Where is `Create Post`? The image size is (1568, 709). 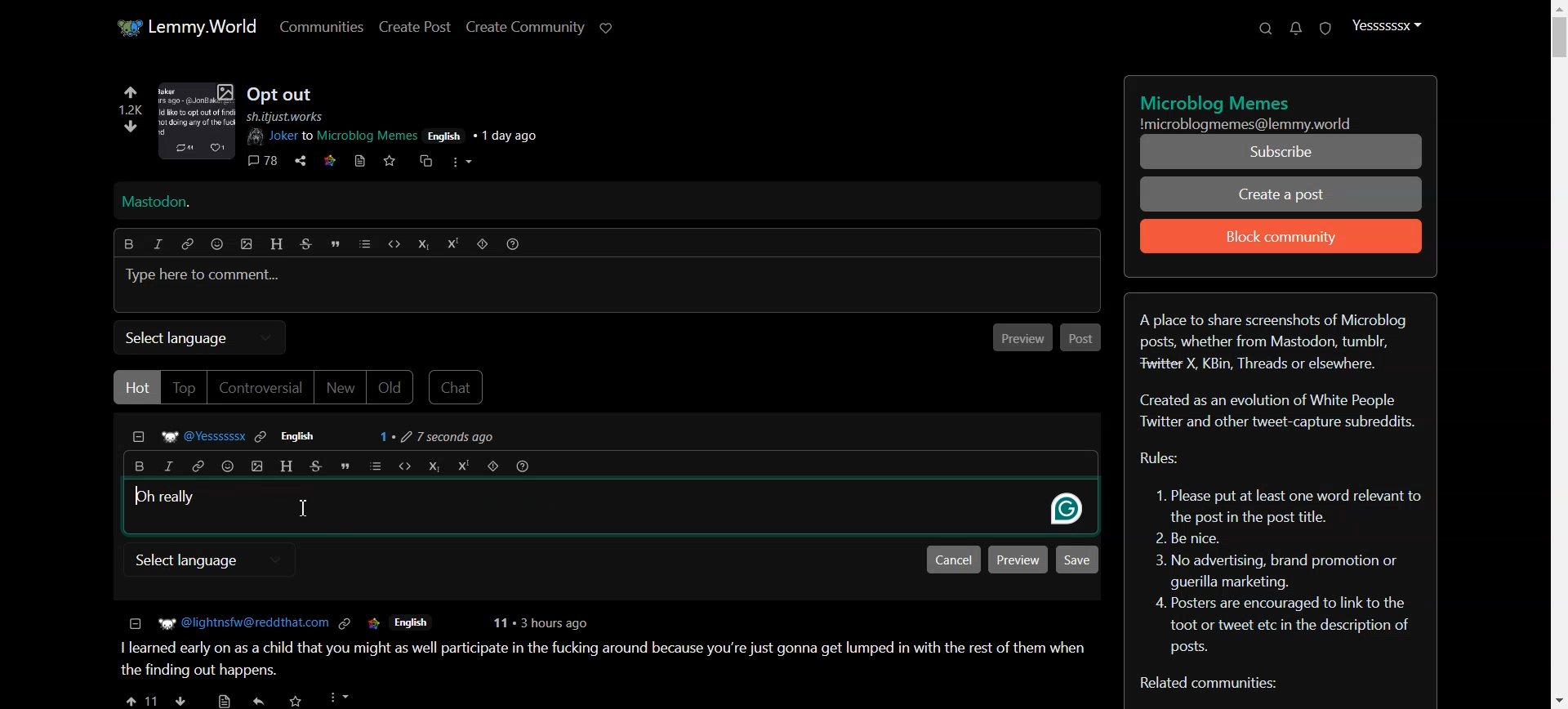
Create Post is located at coordinates (415, 26).